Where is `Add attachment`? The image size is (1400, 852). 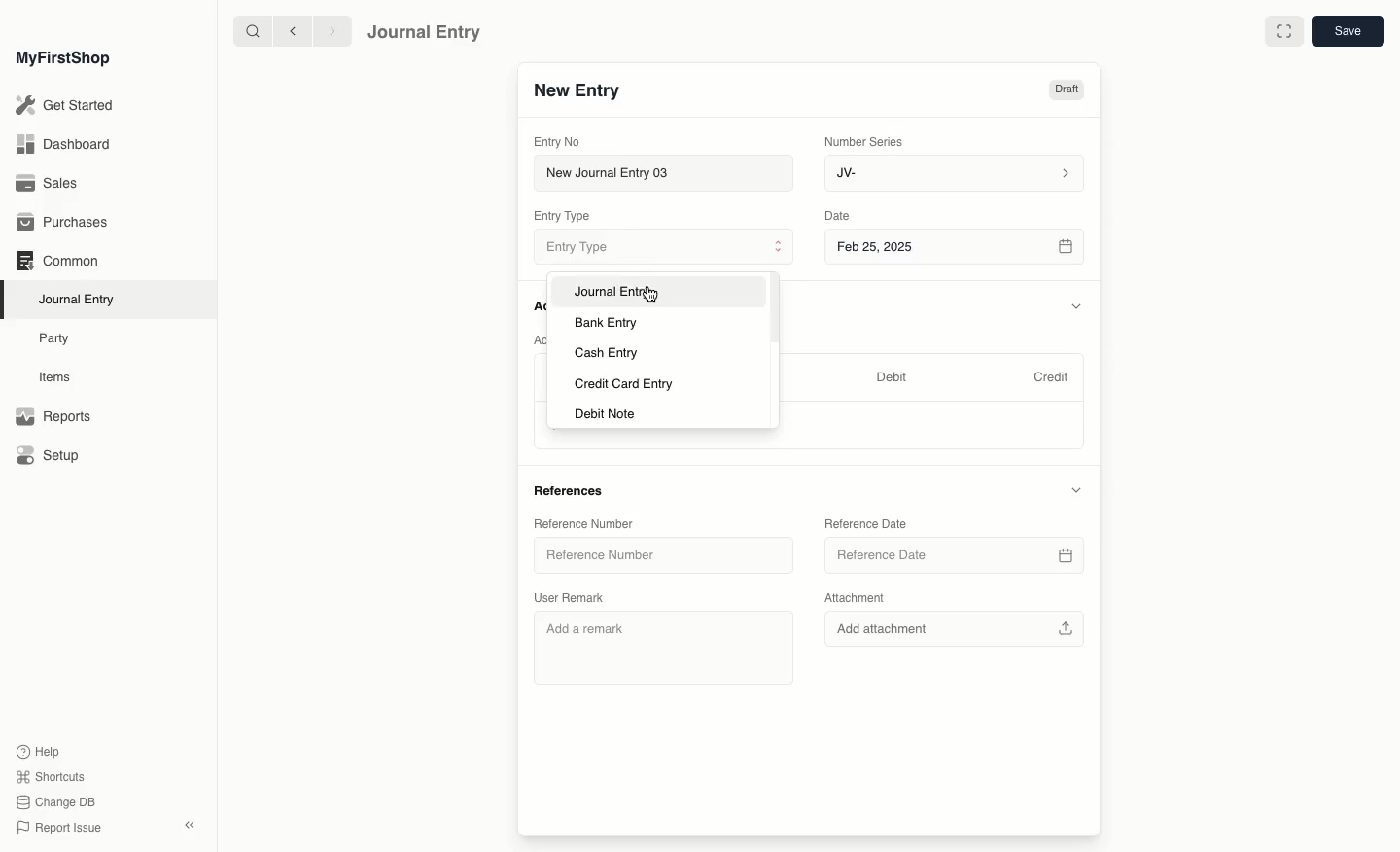 Add attachment is located at coordinates (953, 630).